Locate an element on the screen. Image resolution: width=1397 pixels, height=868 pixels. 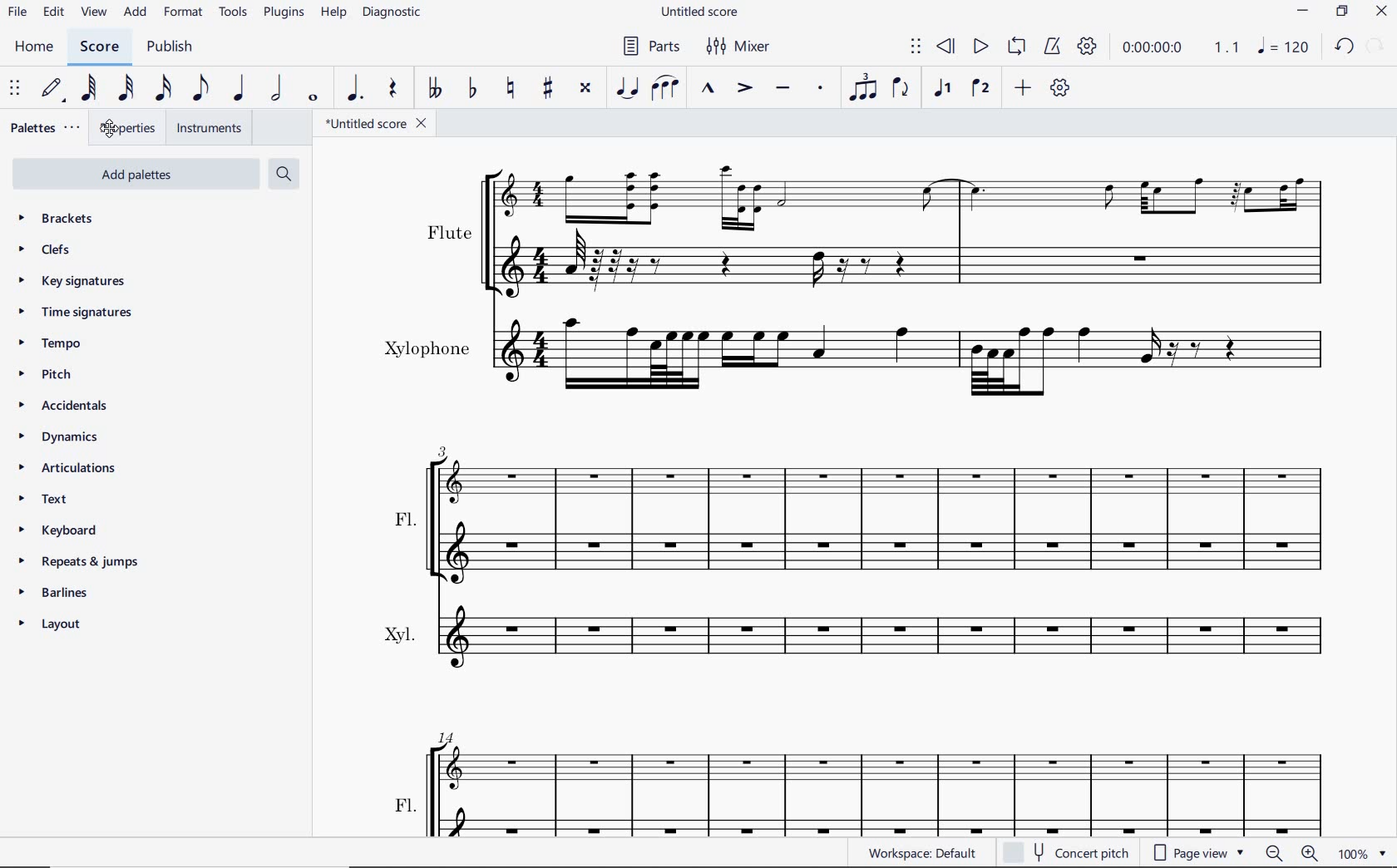
brackets is located at coordinates (56, 218).